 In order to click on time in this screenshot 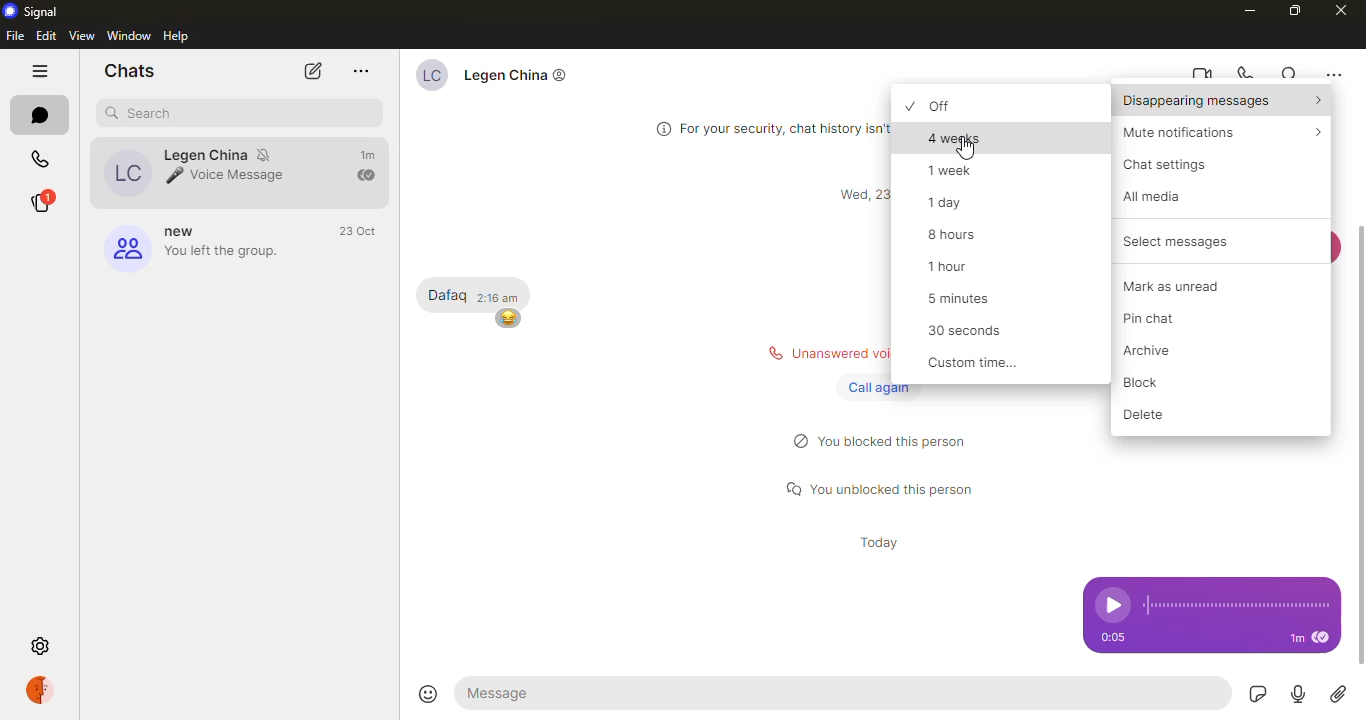, I will do `click(358, 231)`.